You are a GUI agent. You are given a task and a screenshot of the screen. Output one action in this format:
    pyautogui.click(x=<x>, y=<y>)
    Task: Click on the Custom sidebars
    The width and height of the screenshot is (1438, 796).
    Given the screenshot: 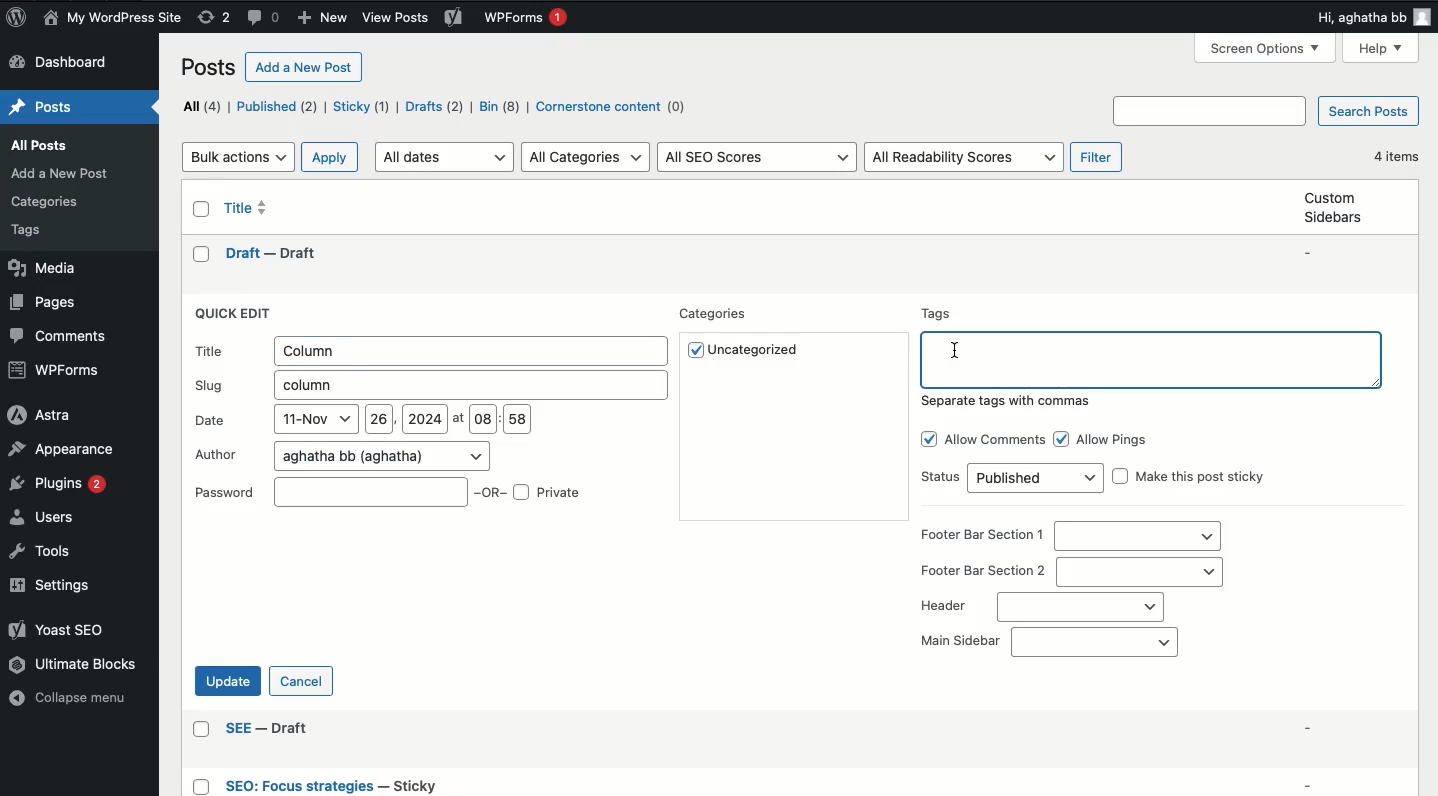 What is the action you would take?
    pyautogui.click(x=1331, y=214)
    